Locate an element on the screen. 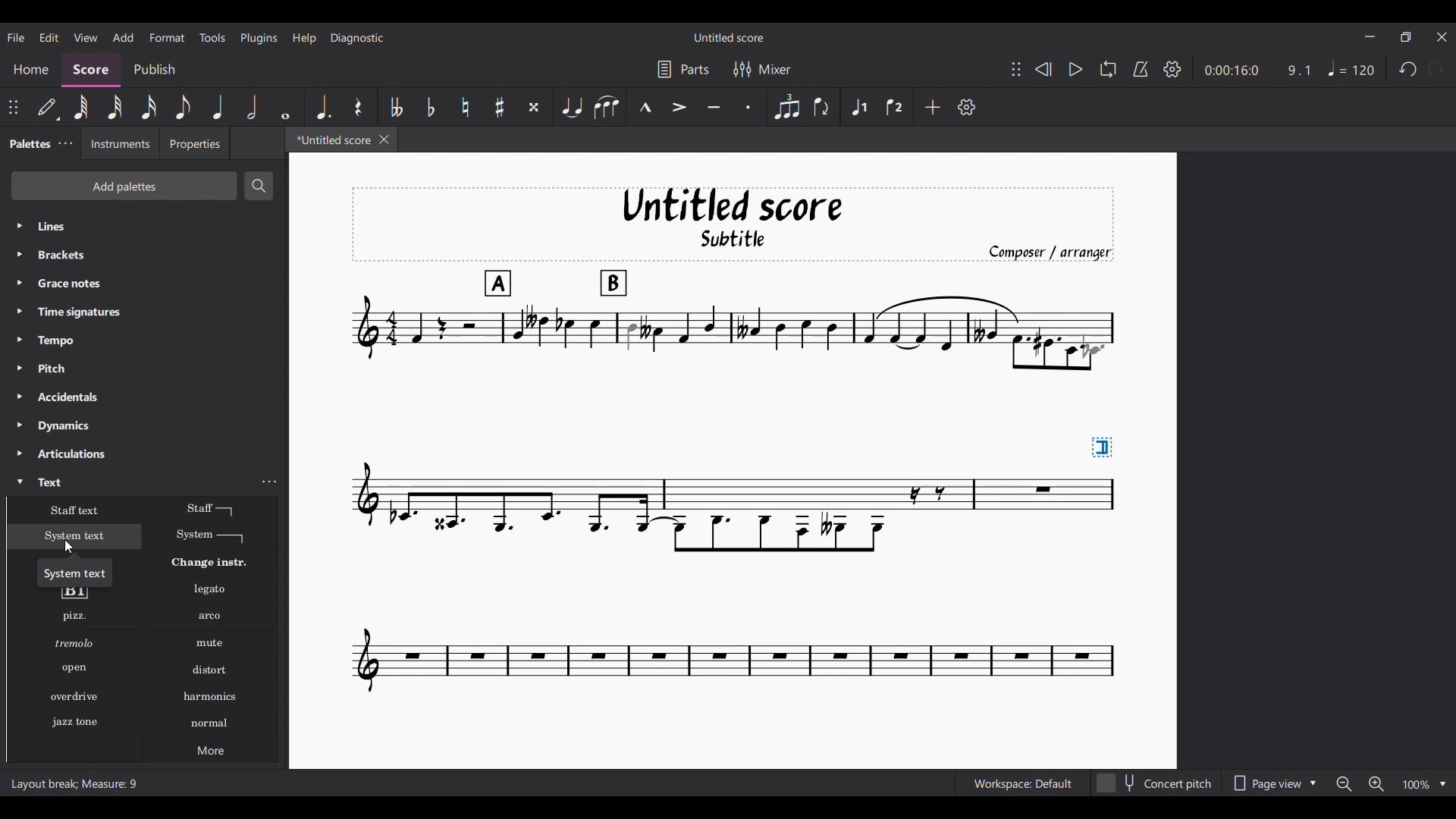  Current score is located at coordinates (732, 441).